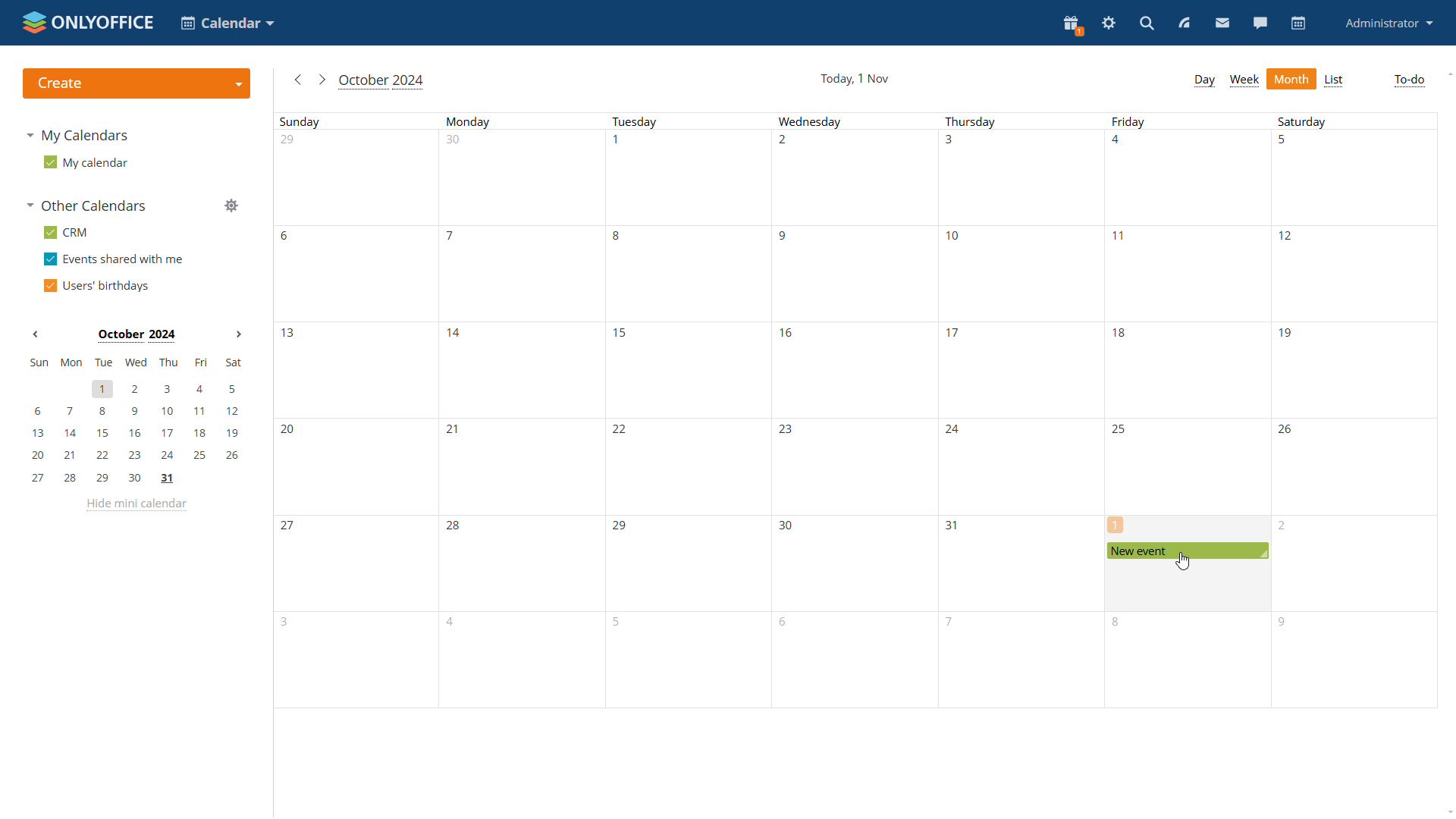  What do you see at coordinates (1245, 81) in the screenshot?
I see `week view` at bounding box center [1245, 81].